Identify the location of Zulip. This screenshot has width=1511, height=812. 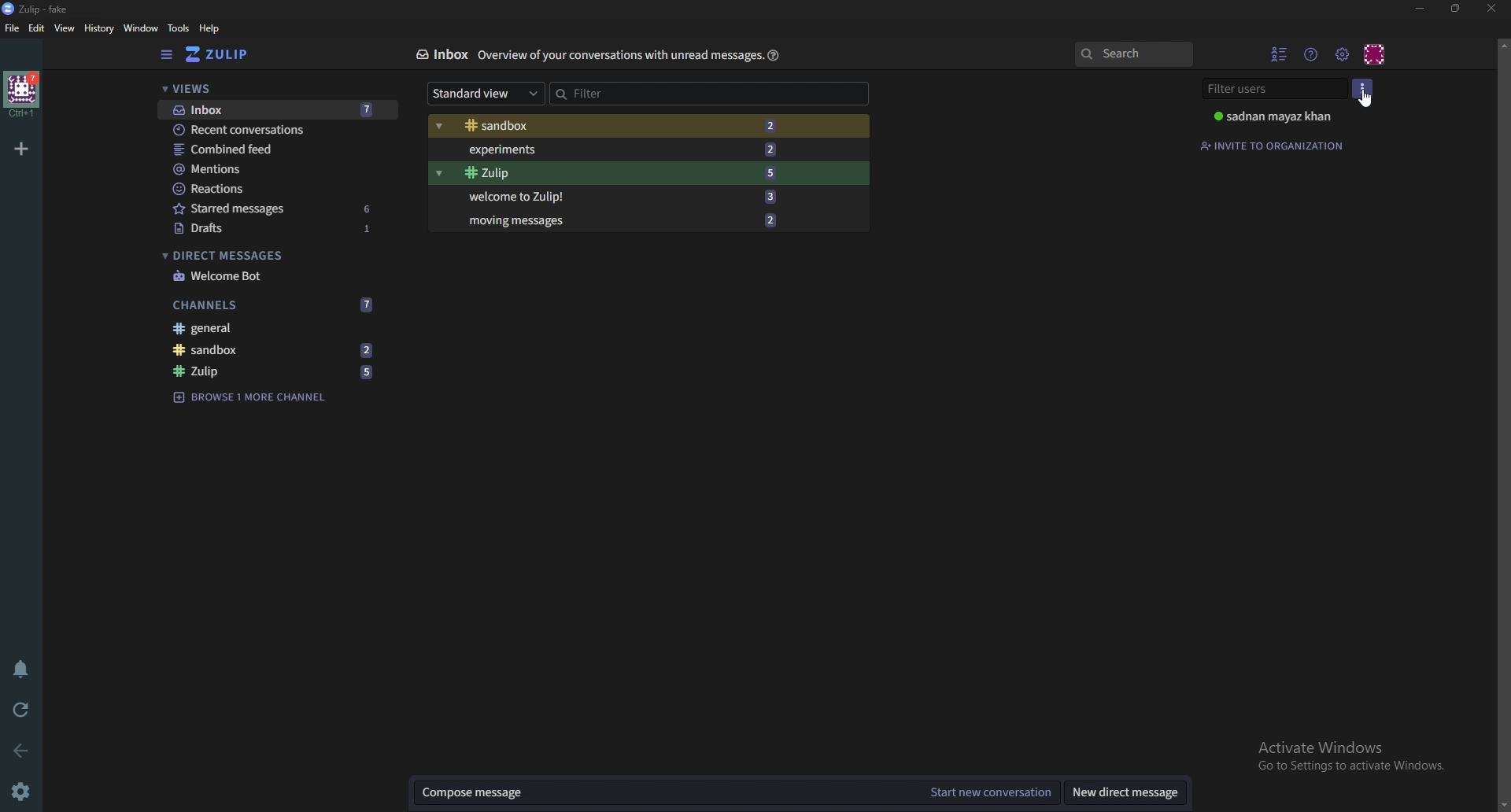
(35, 9).